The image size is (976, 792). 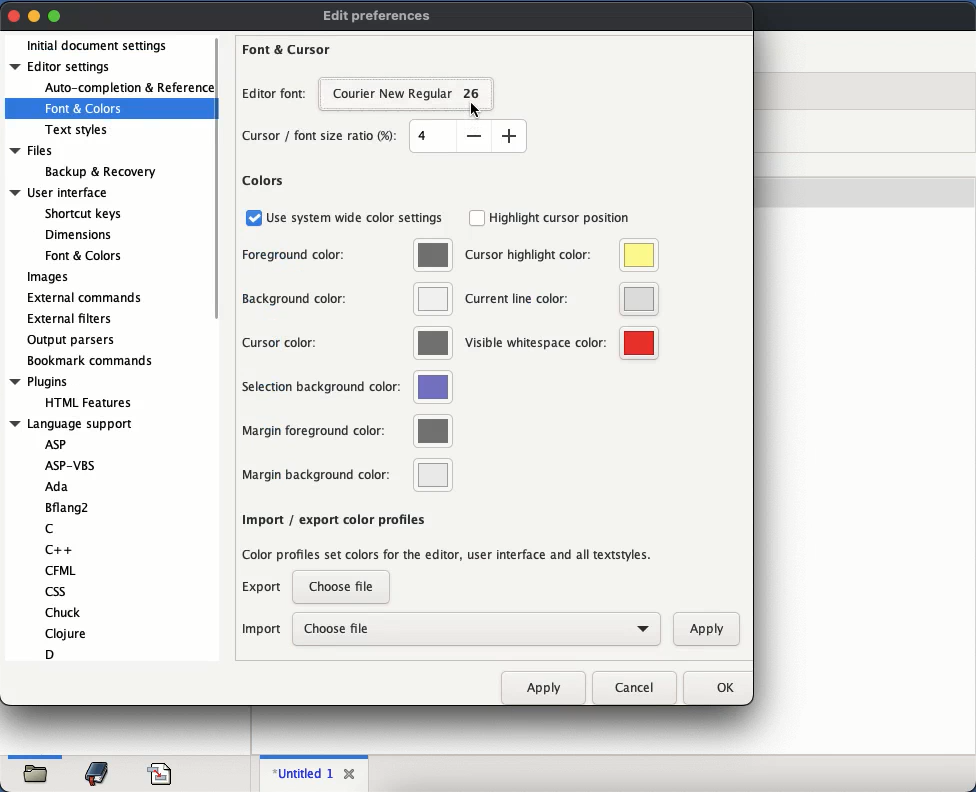 What do you see at coordinates (58, 444) in the screenshot?
I see `ASP` at bounding box center [58, 444].